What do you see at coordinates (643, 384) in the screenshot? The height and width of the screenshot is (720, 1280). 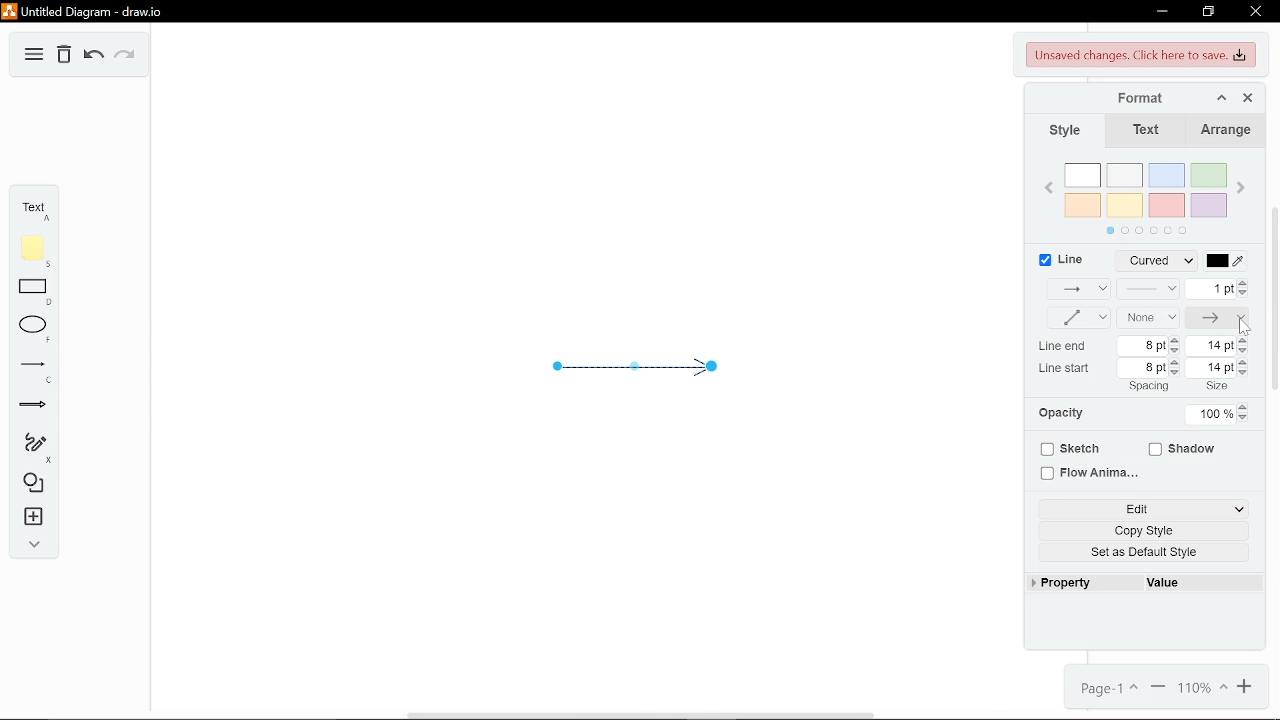 I see `Current arrow diagram` at bounding box center [643, 384].